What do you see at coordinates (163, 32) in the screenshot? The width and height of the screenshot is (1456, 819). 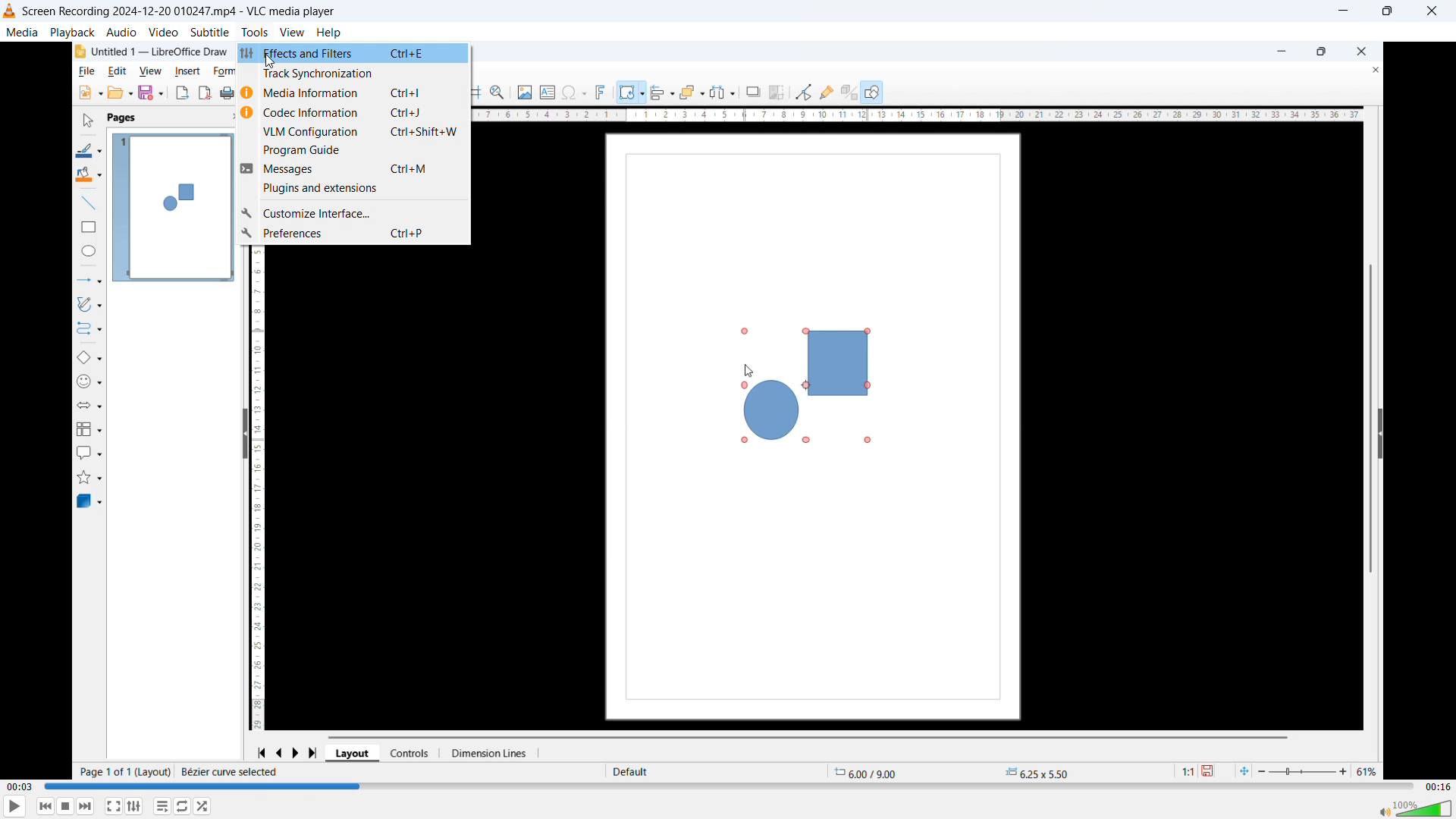 I see `video` at bounding box center [163, 32].